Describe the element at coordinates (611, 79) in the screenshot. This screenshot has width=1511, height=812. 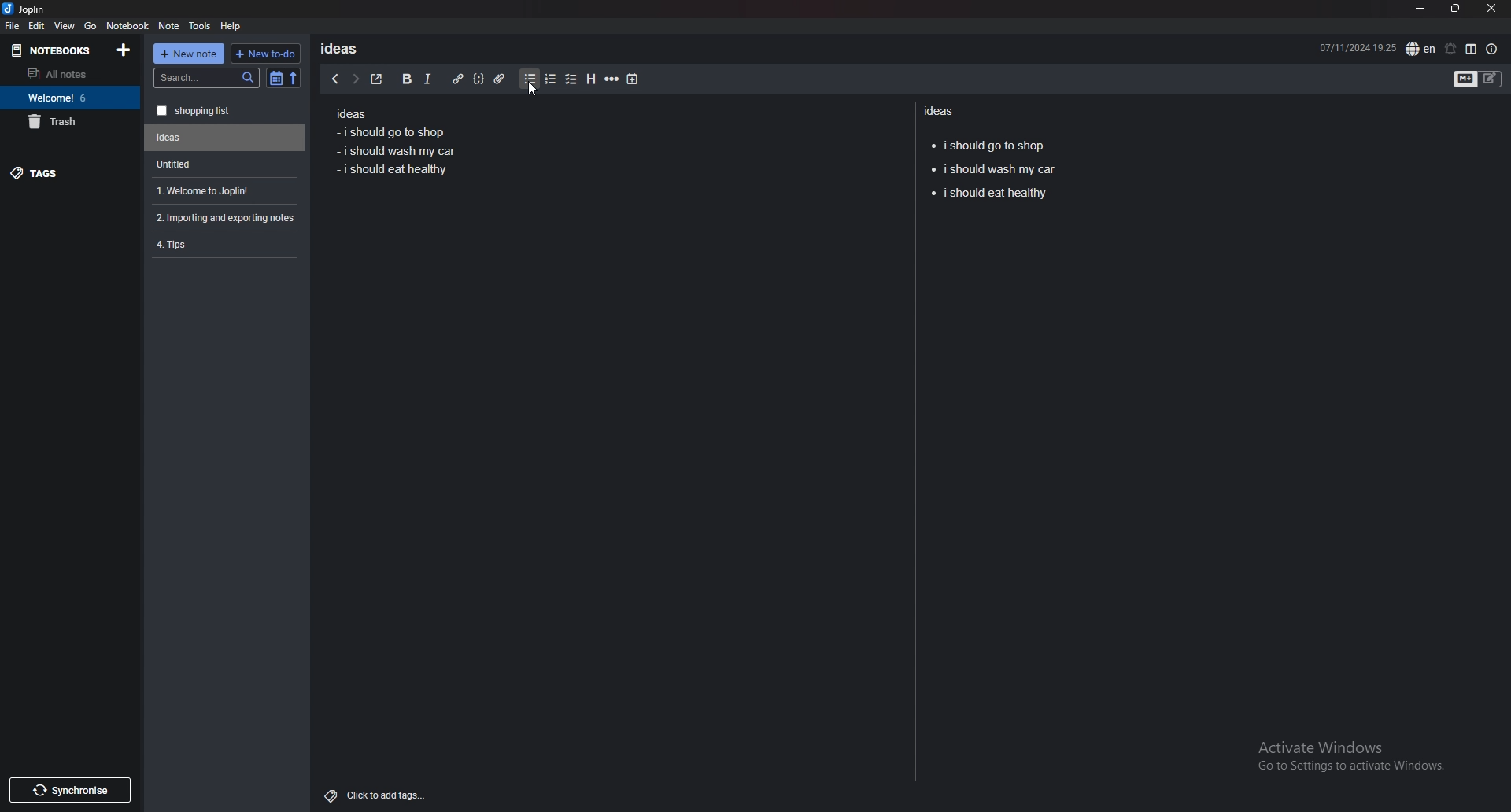
I see `horizontal rule` at that location.